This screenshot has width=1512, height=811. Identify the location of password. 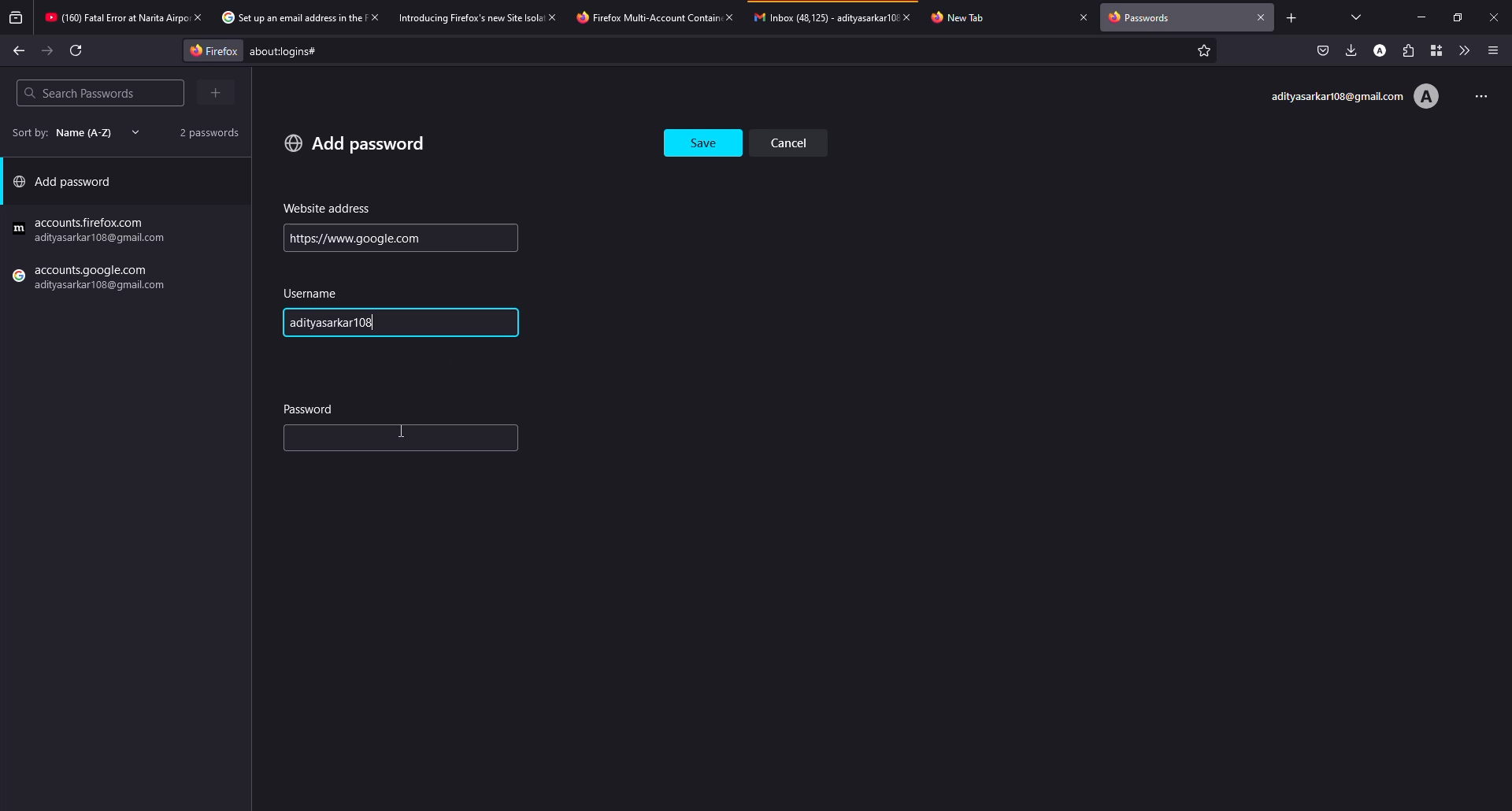
(310, 408).